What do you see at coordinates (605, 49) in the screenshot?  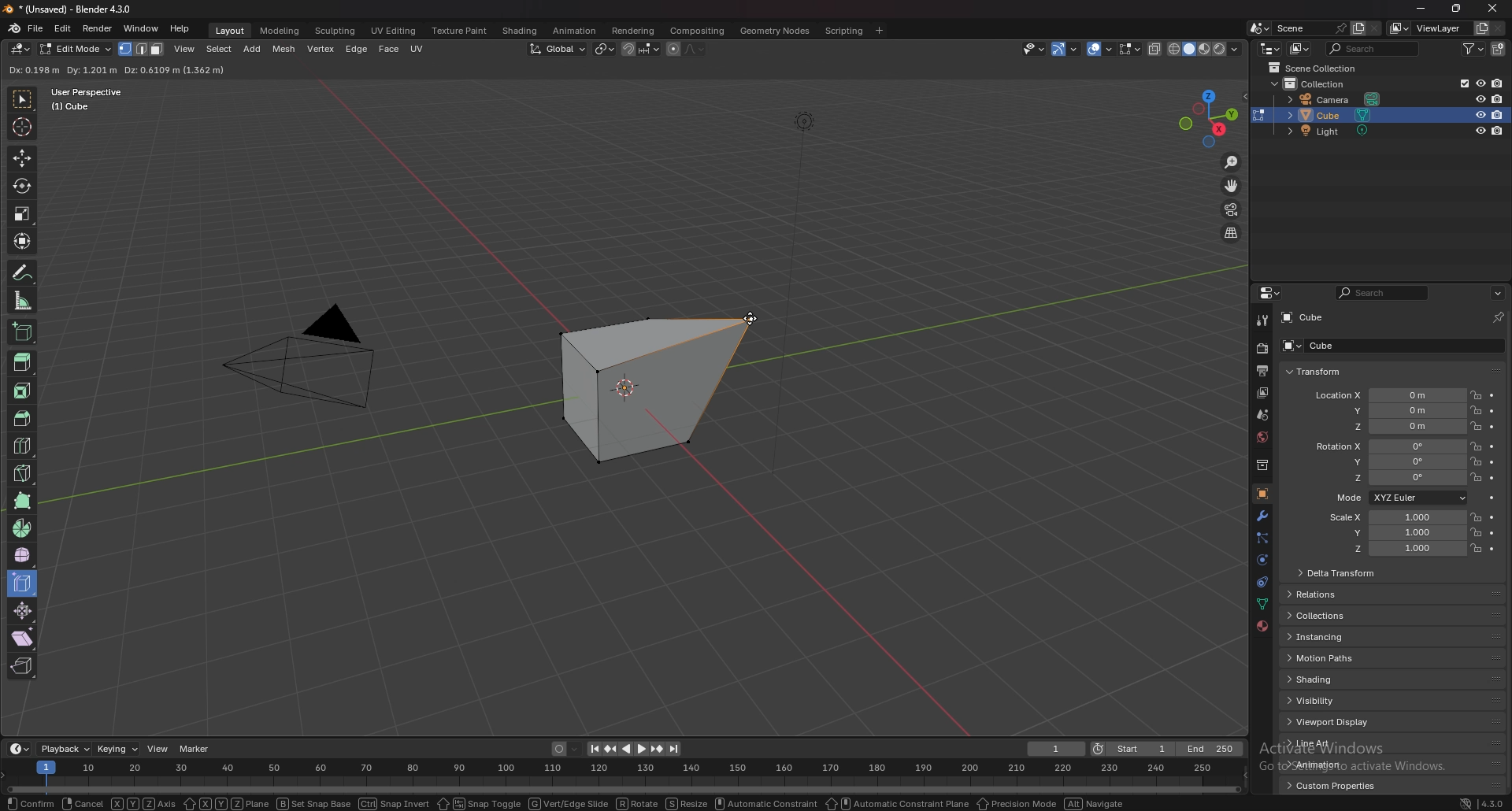 I see `transform pivot point` at bounding box center [605, 49].